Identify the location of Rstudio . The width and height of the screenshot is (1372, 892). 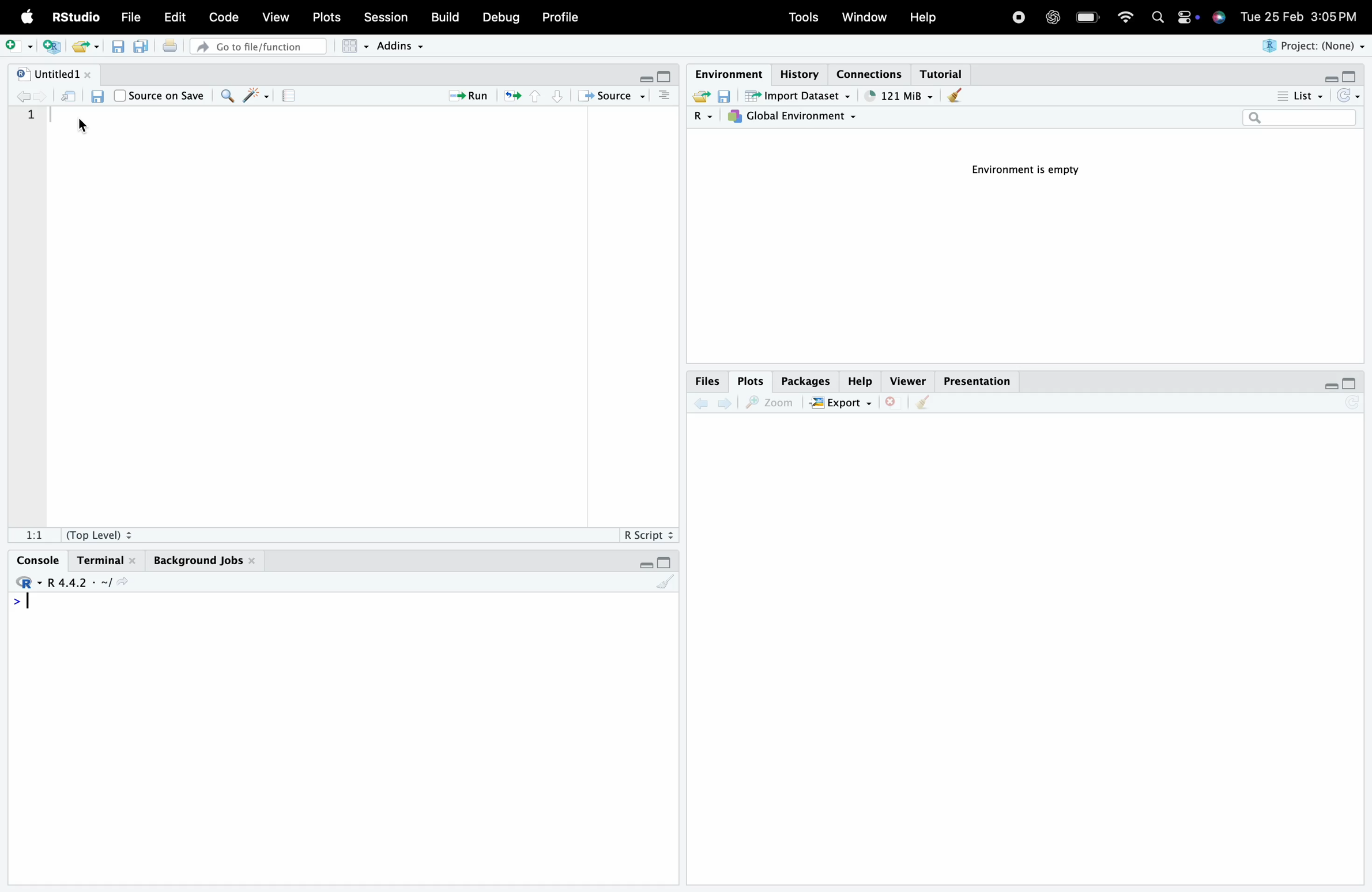
(28, 582).